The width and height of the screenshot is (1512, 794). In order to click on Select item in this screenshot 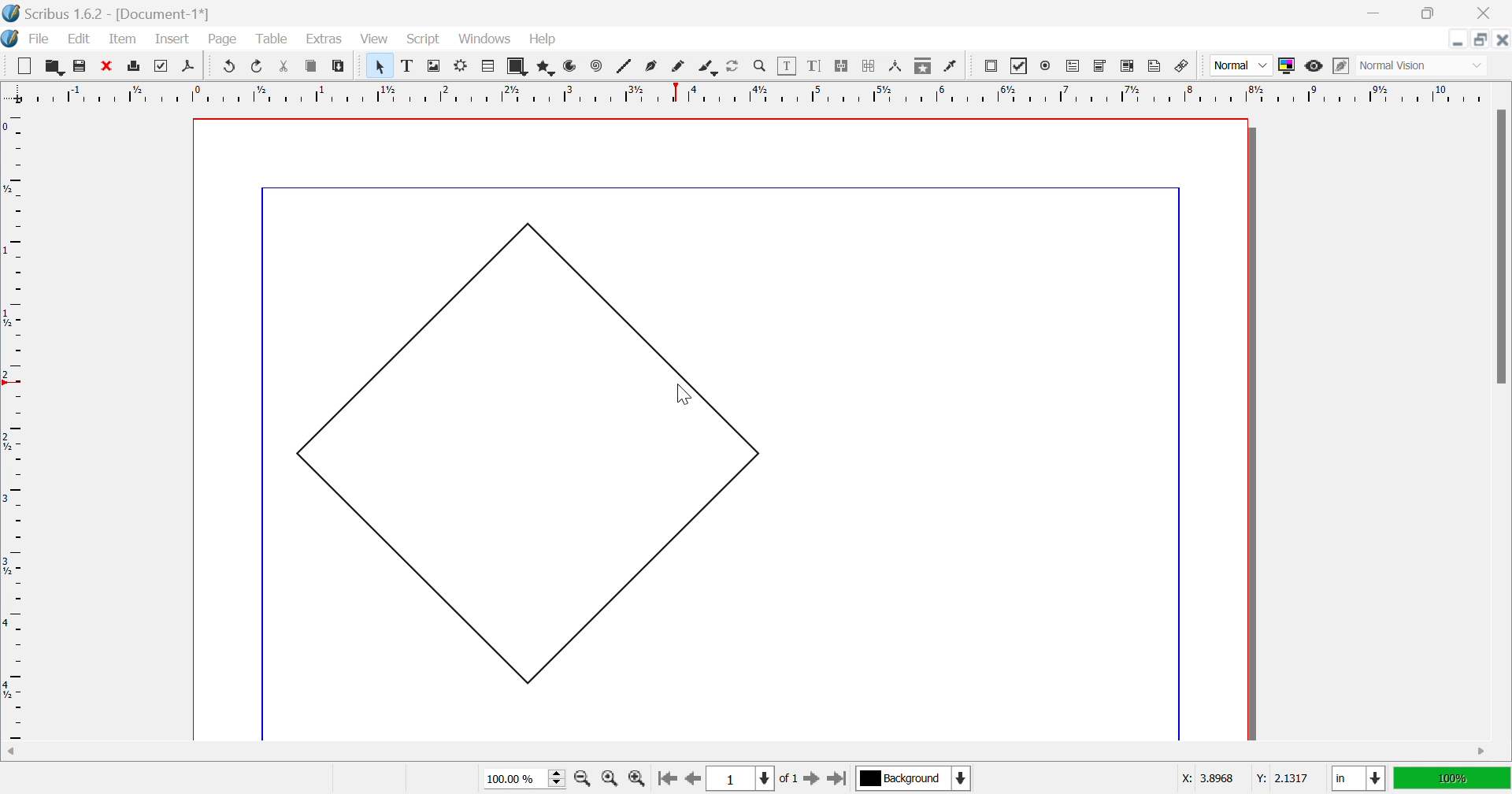, I will do `click(383, 66)`.